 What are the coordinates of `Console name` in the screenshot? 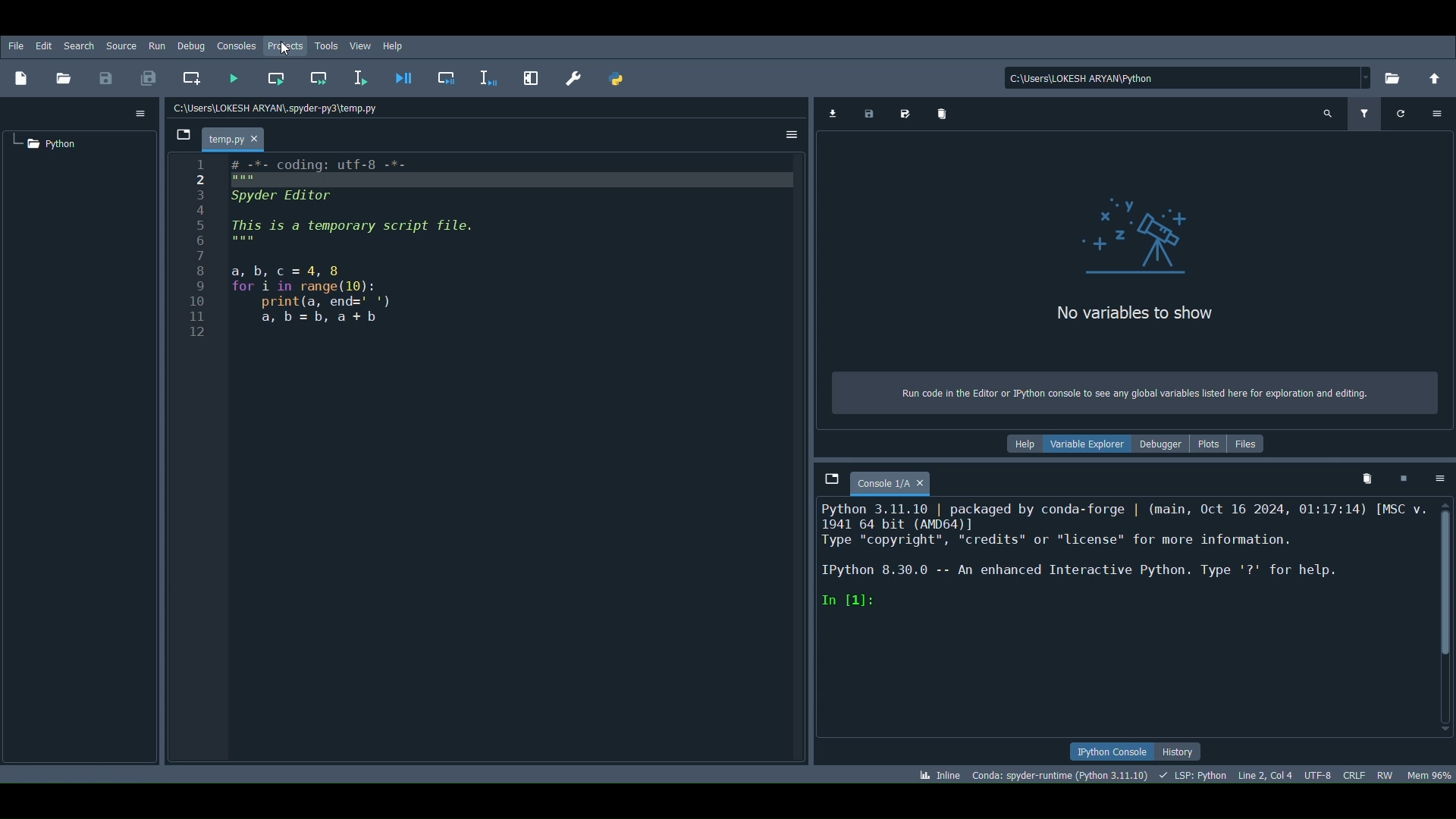 It's located at (893, 482).